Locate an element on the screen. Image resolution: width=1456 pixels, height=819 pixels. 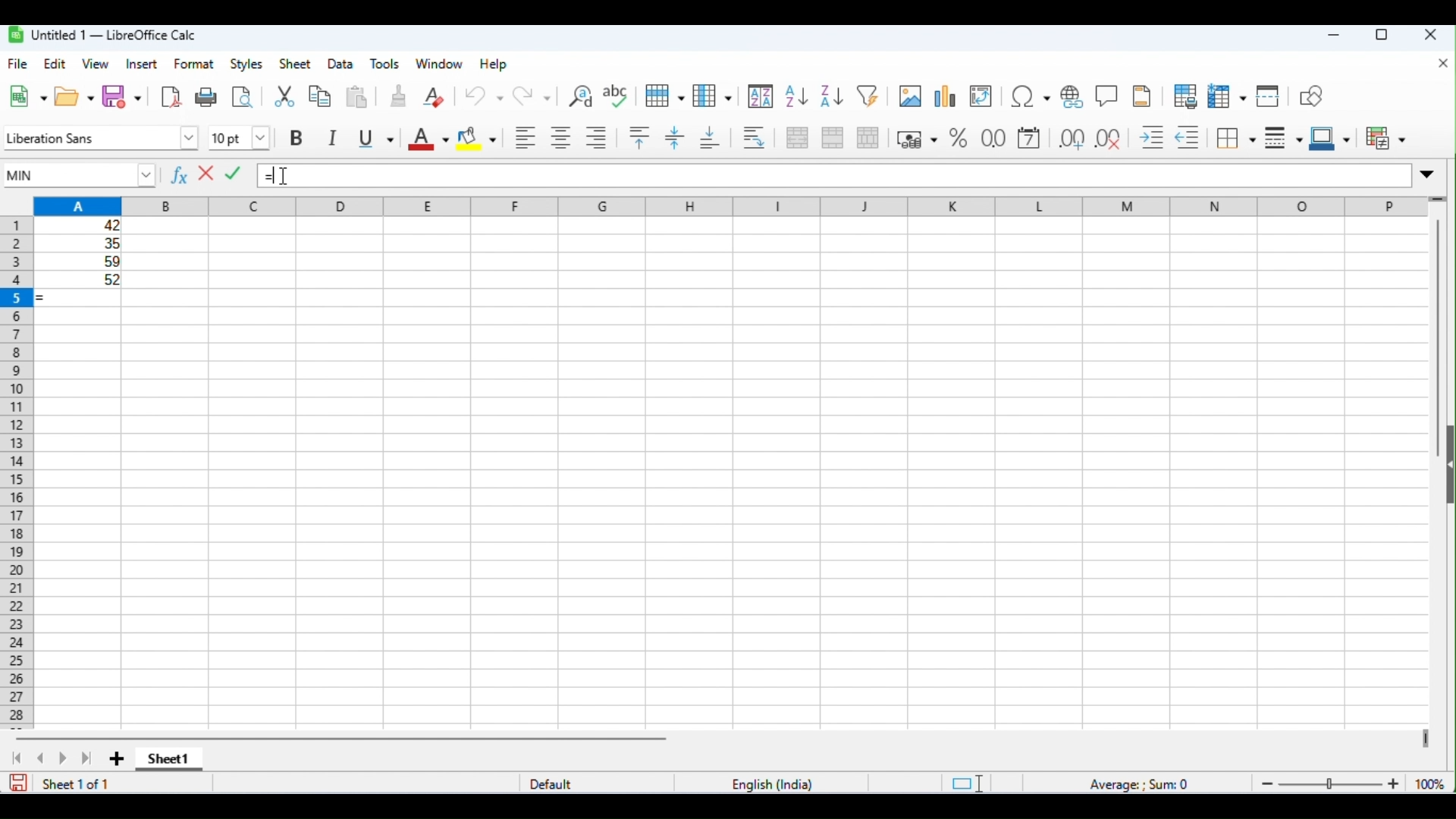
horizontal scroll bar is located at coordinates (346, 739).